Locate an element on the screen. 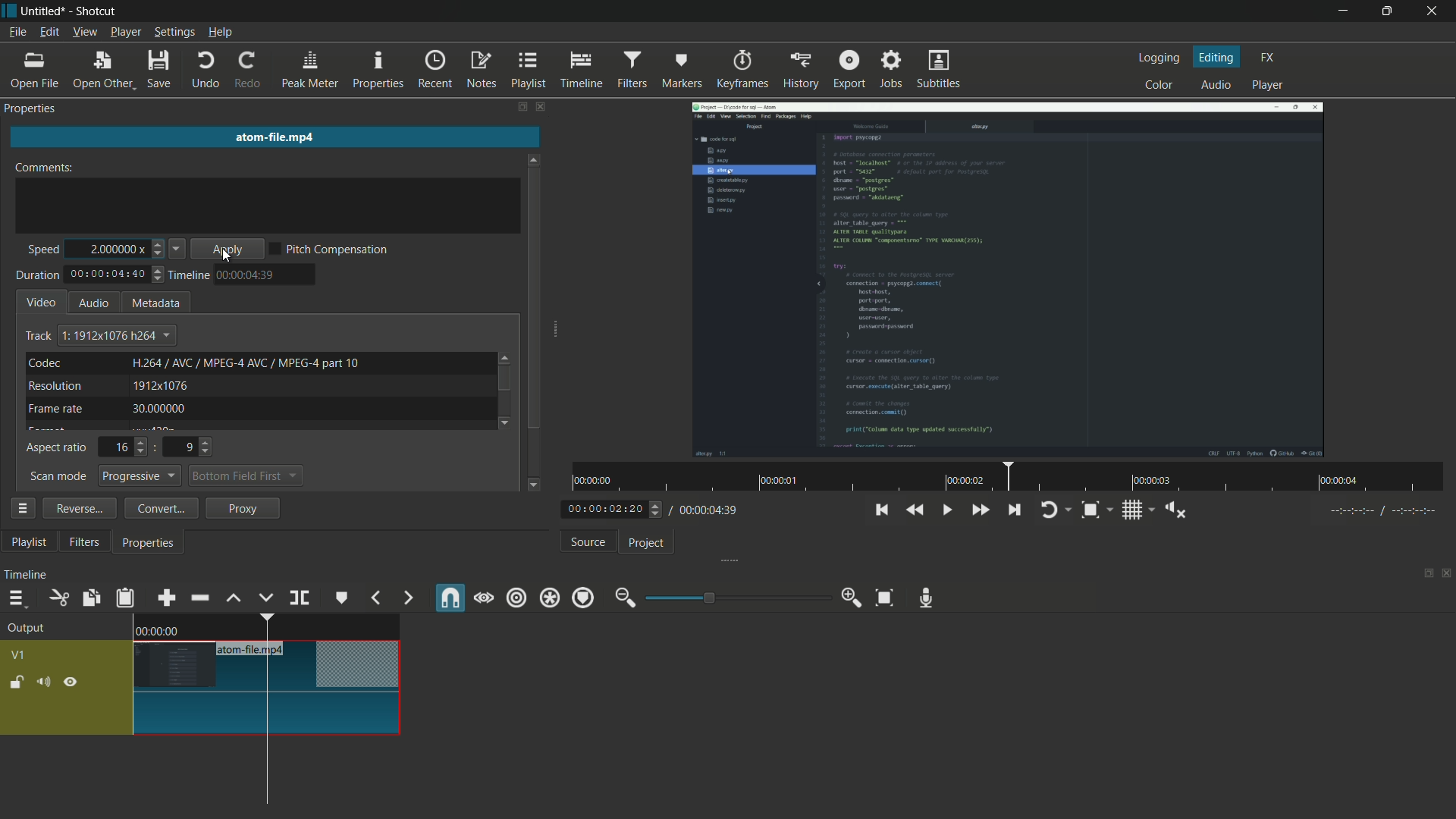  scroll bar is located at coordinates (504, 378).